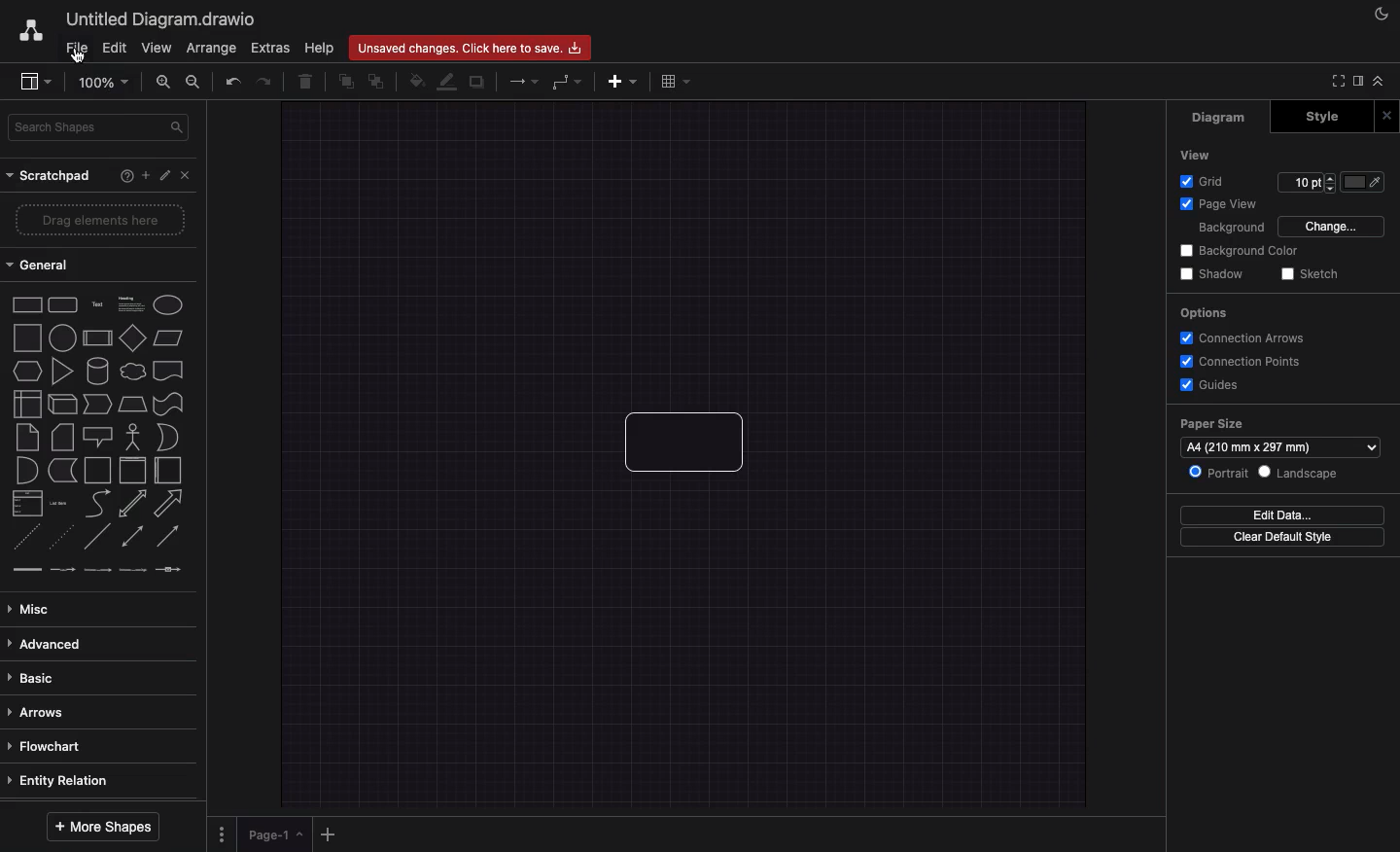 The width and height of the screenshot is (1400, 852). I want to click on Edit data, so click(1286, 514).